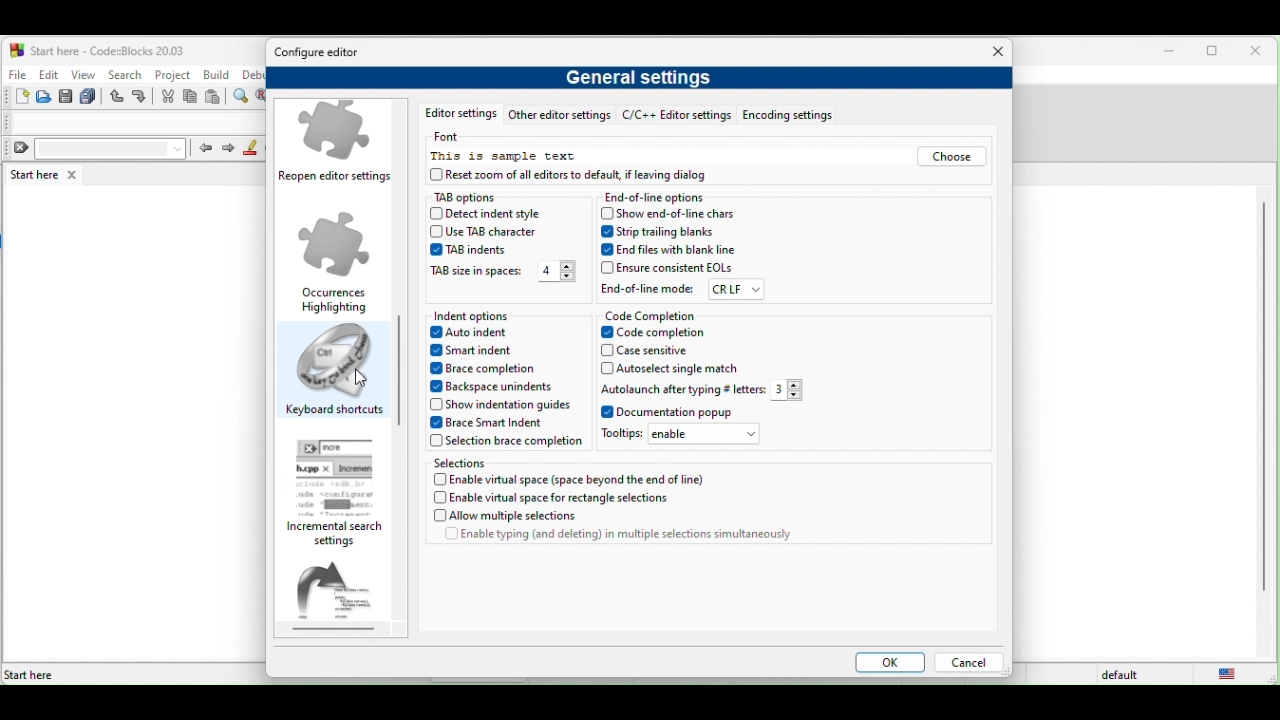 The image size is (1280, 720). What do you see at coordinates (218, 75) in the screenshot?
I see `build` at bounding box center [218, 75].